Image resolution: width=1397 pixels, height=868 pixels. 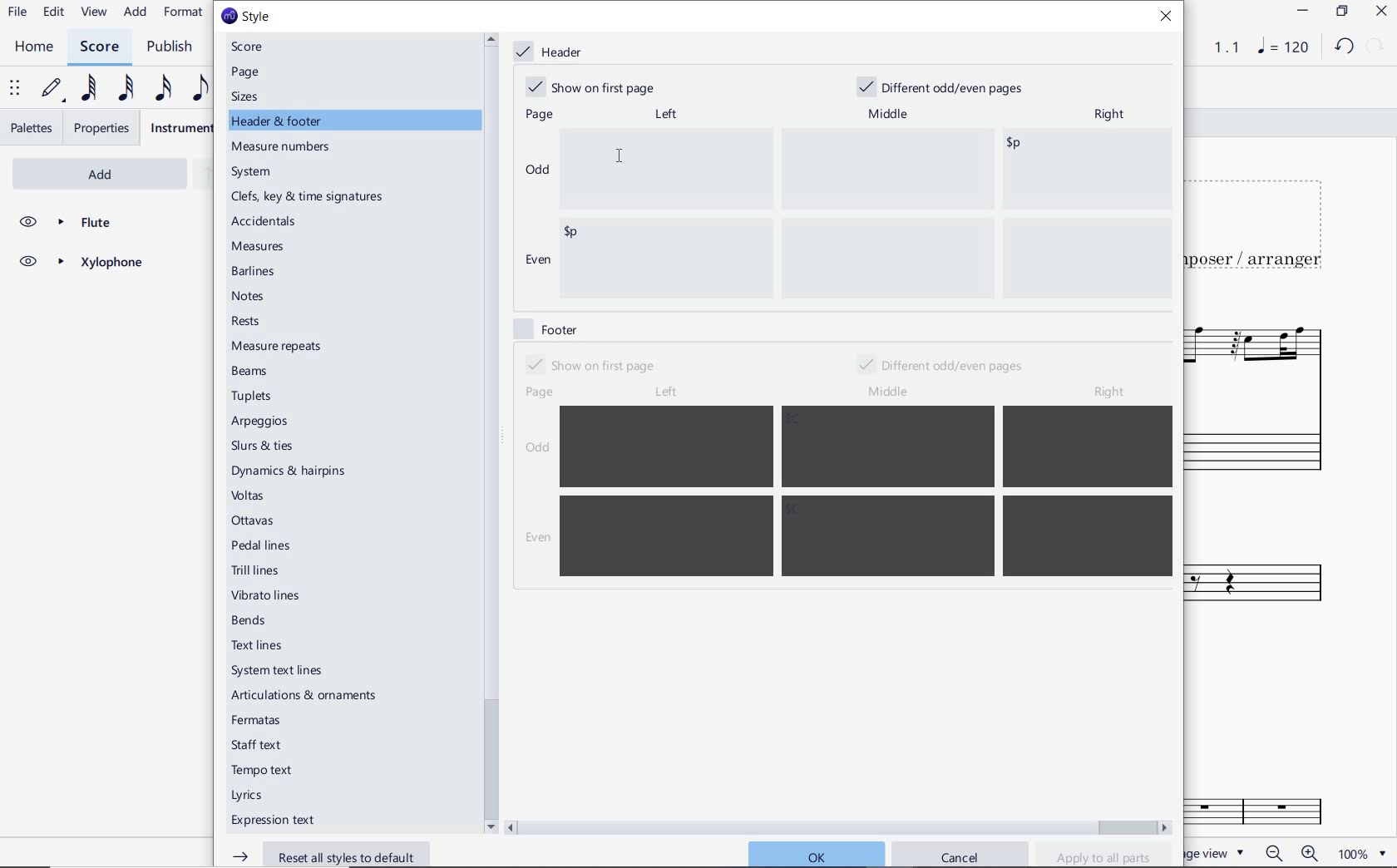 I want to click on beams, so click(x=254, y=372).